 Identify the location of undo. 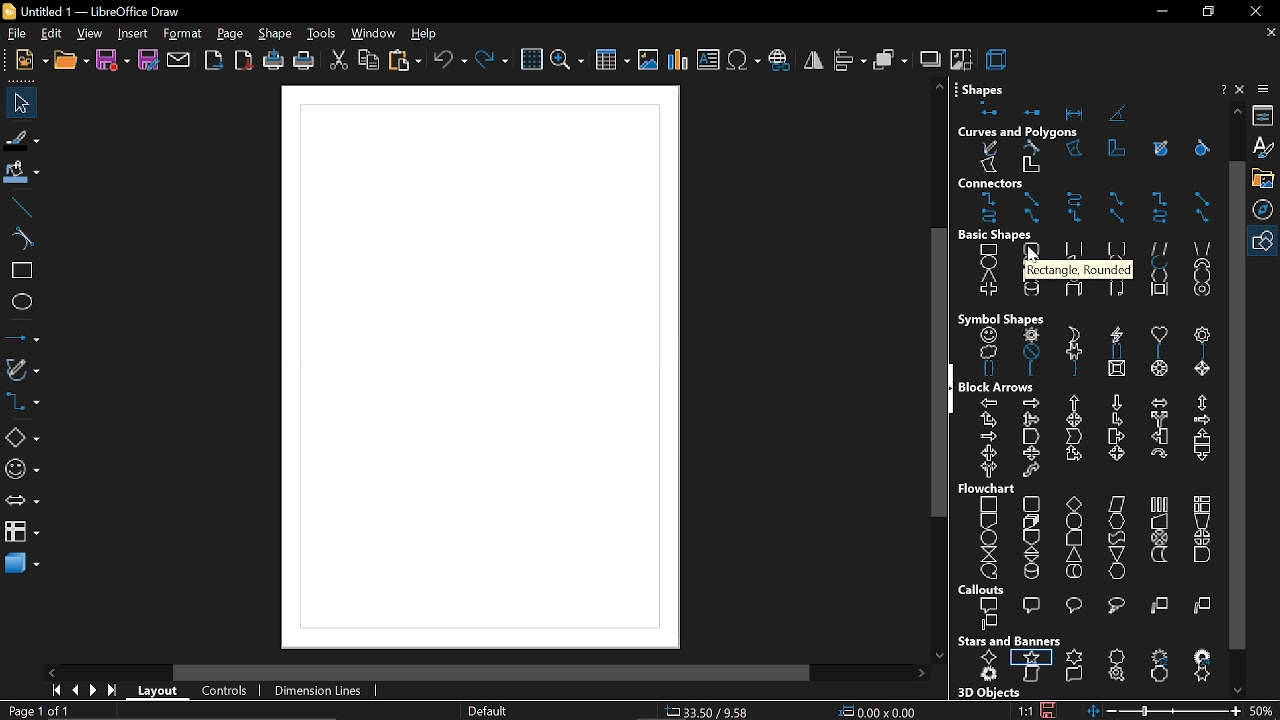
(450, 62).